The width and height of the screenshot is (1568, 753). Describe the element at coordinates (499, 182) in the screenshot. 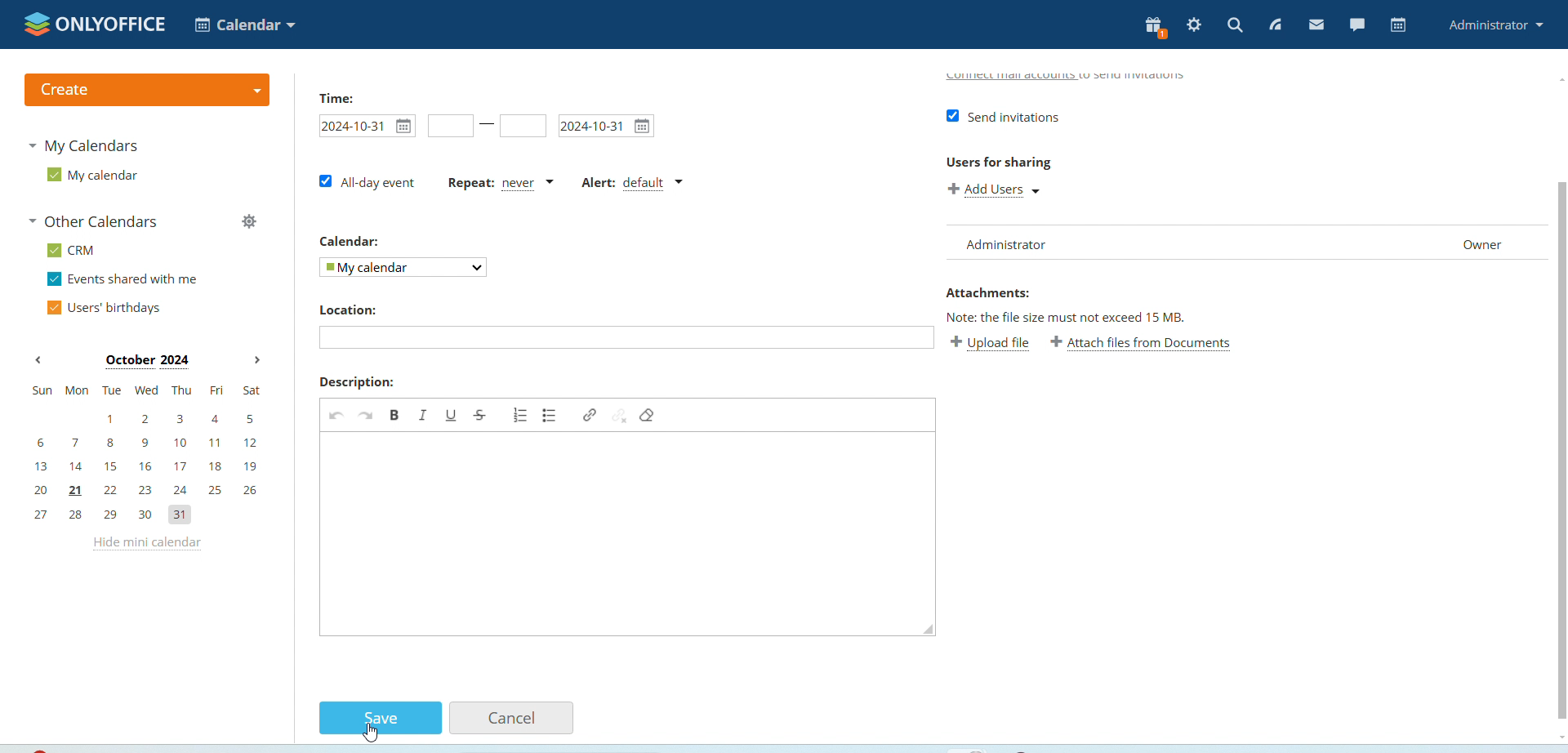

I see `repeat` at that location.